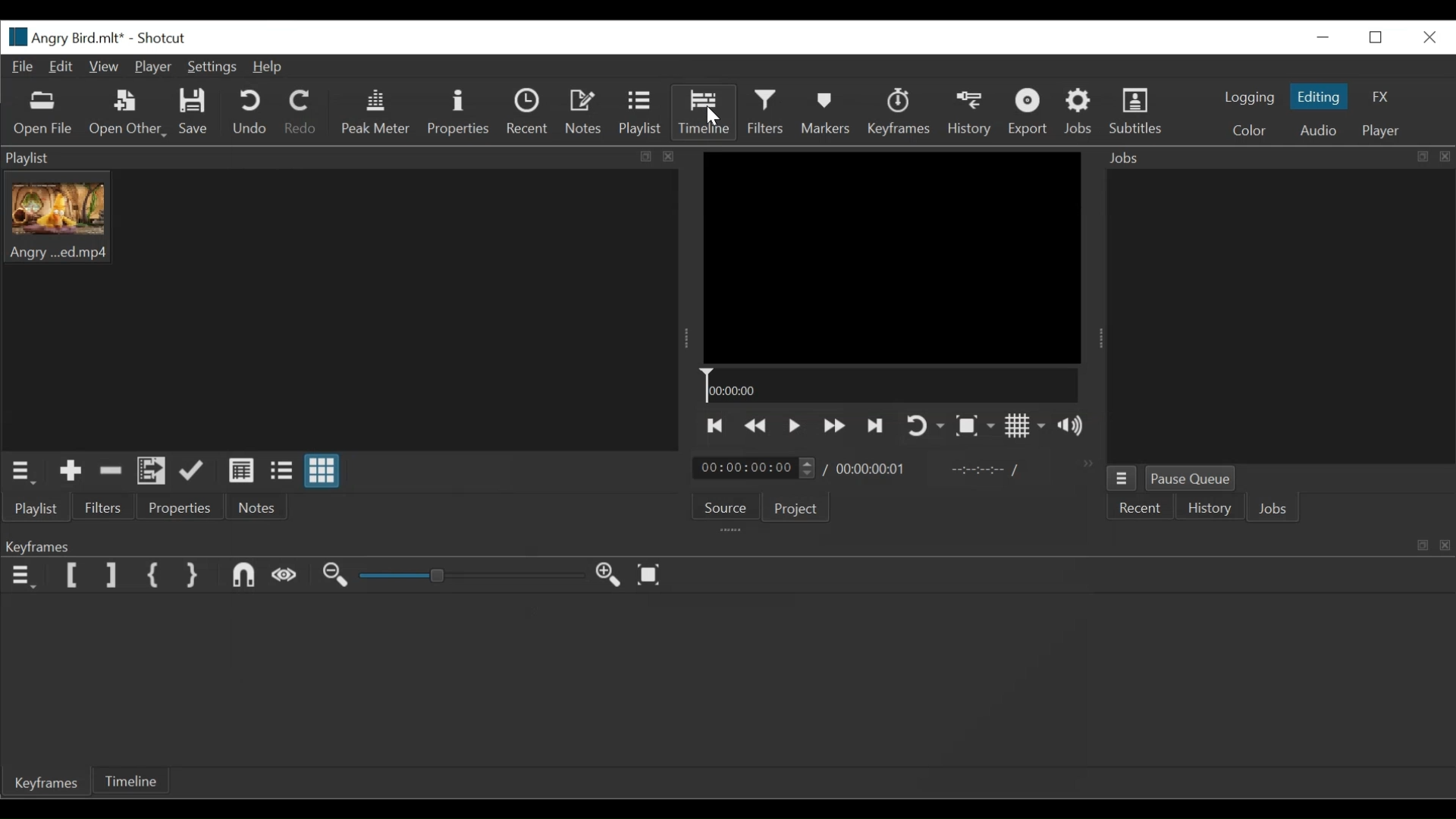 The height and width of the screenshot is (819, 1456). What do you see at coordinates (74, 576) in the screenshot?
I see `Set Filter First` at bounding box center [74, 576].